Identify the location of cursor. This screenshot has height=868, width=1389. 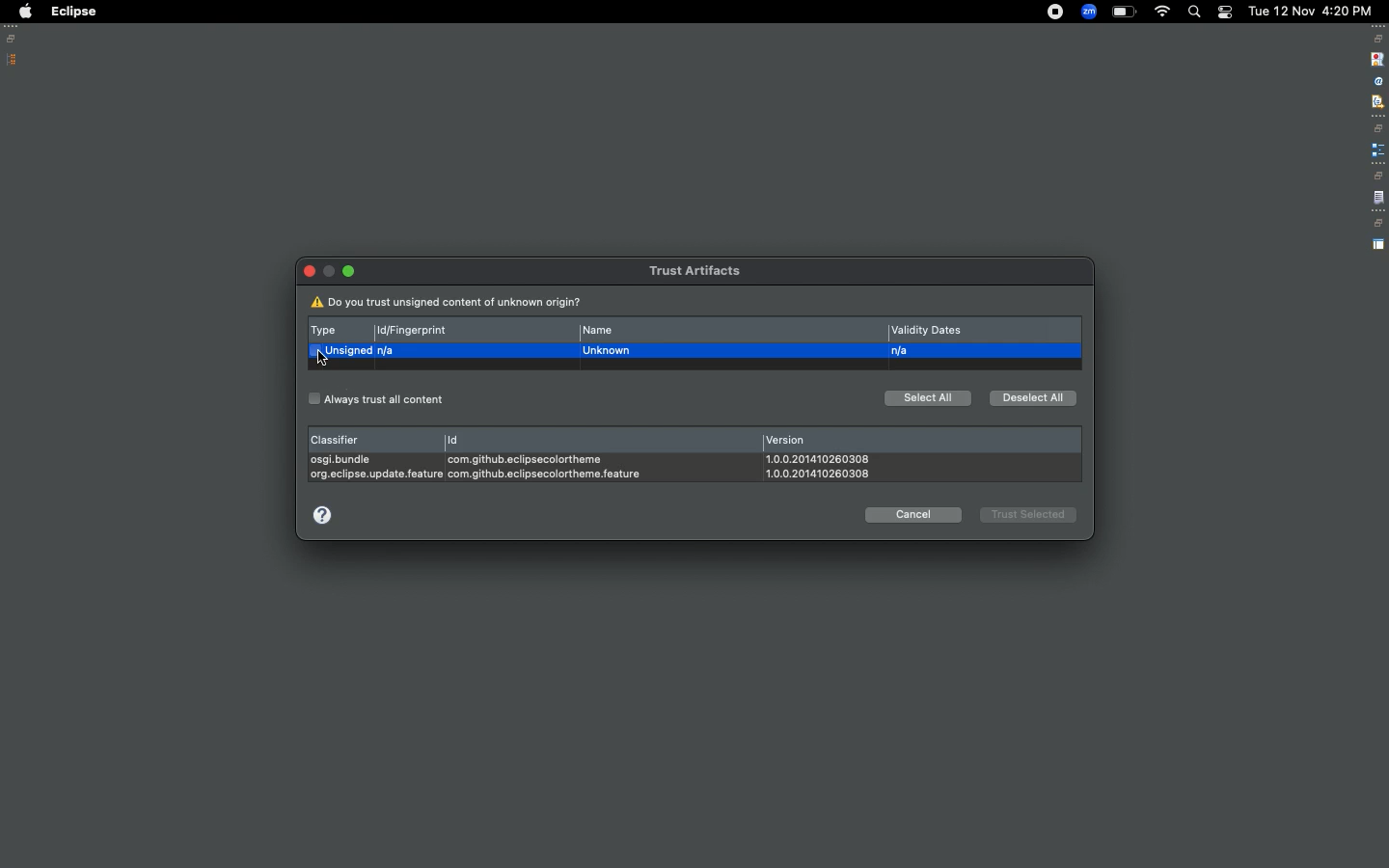
(322, 357).